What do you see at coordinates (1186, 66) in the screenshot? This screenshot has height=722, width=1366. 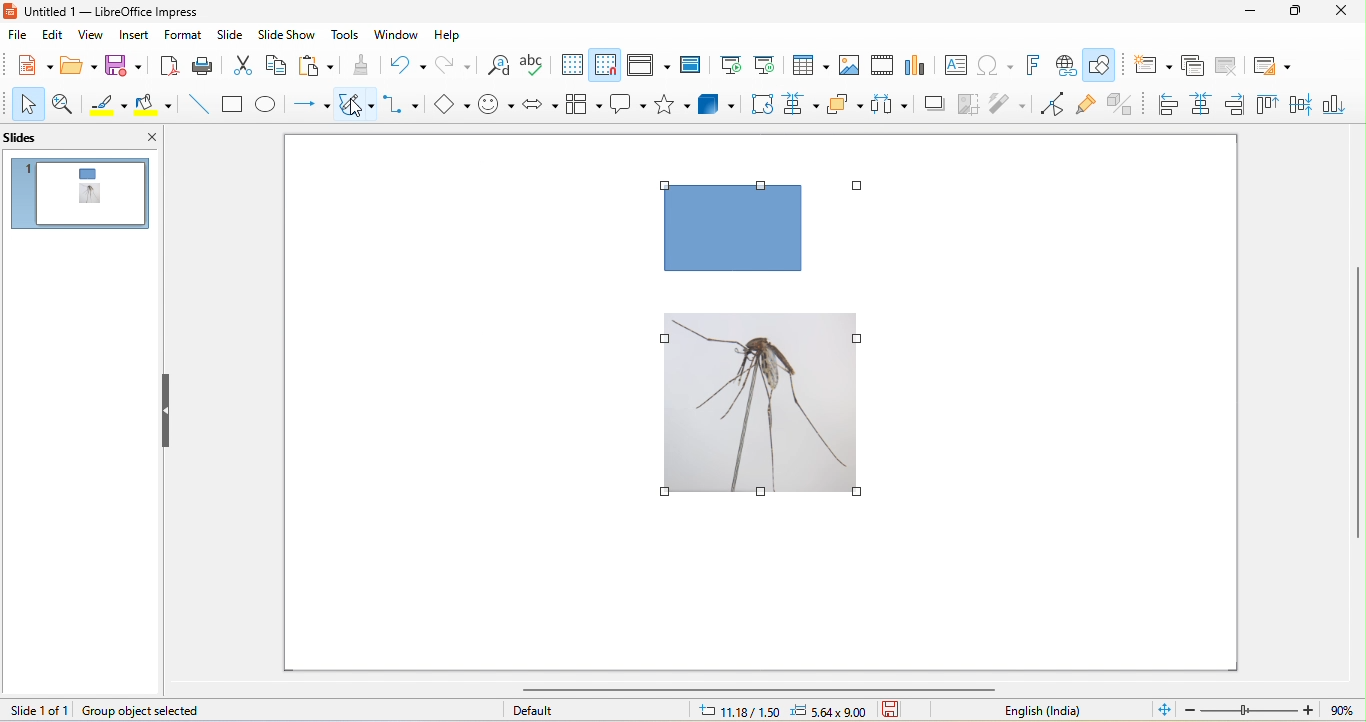 I see `duplicate slide` at bounding box center [1186, 66].